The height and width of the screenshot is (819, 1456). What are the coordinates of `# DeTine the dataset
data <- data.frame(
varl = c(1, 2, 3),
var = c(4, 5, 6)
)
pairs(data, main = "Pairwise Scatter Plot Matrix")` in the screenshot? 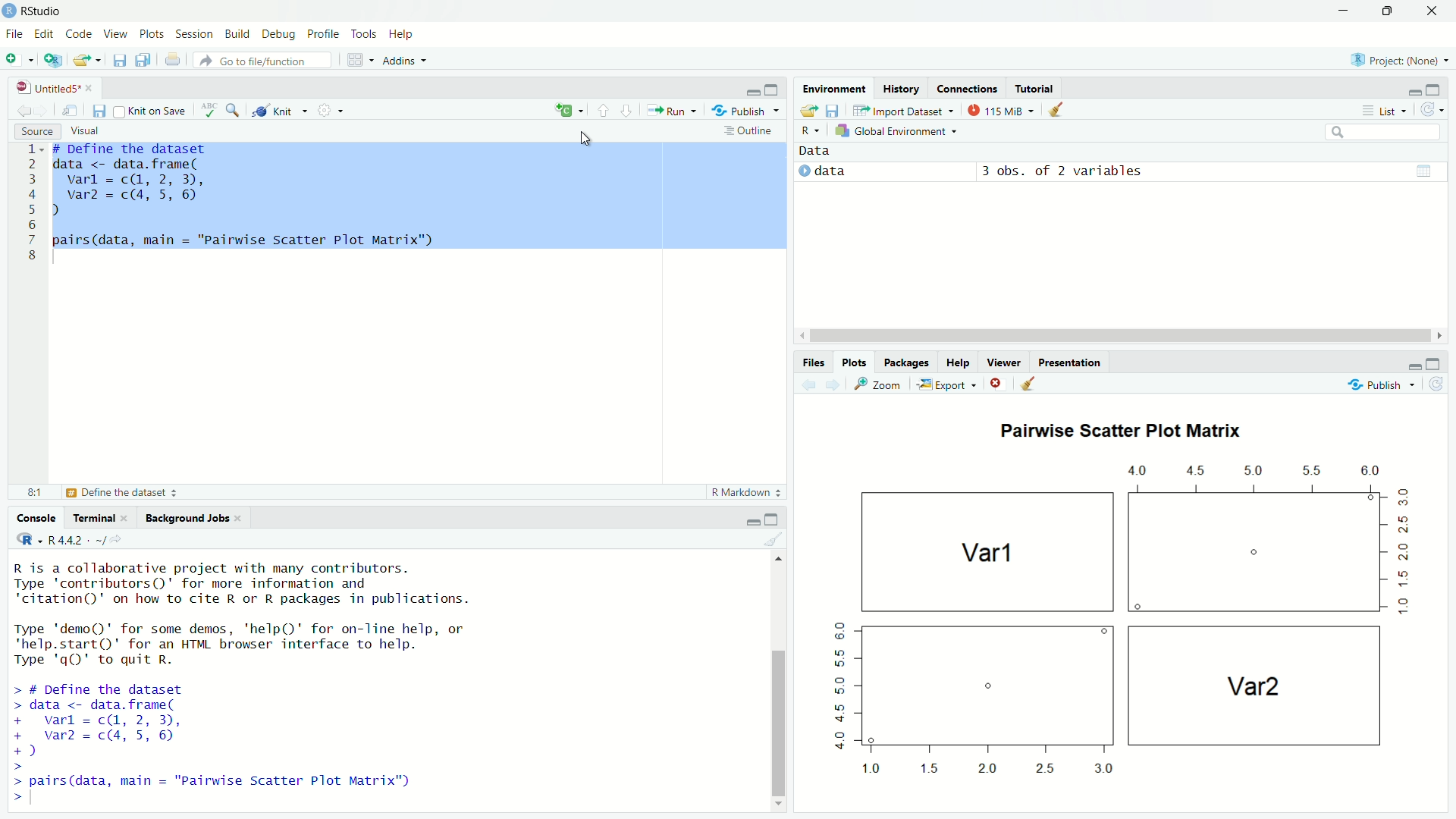 It's located at (421, 198).